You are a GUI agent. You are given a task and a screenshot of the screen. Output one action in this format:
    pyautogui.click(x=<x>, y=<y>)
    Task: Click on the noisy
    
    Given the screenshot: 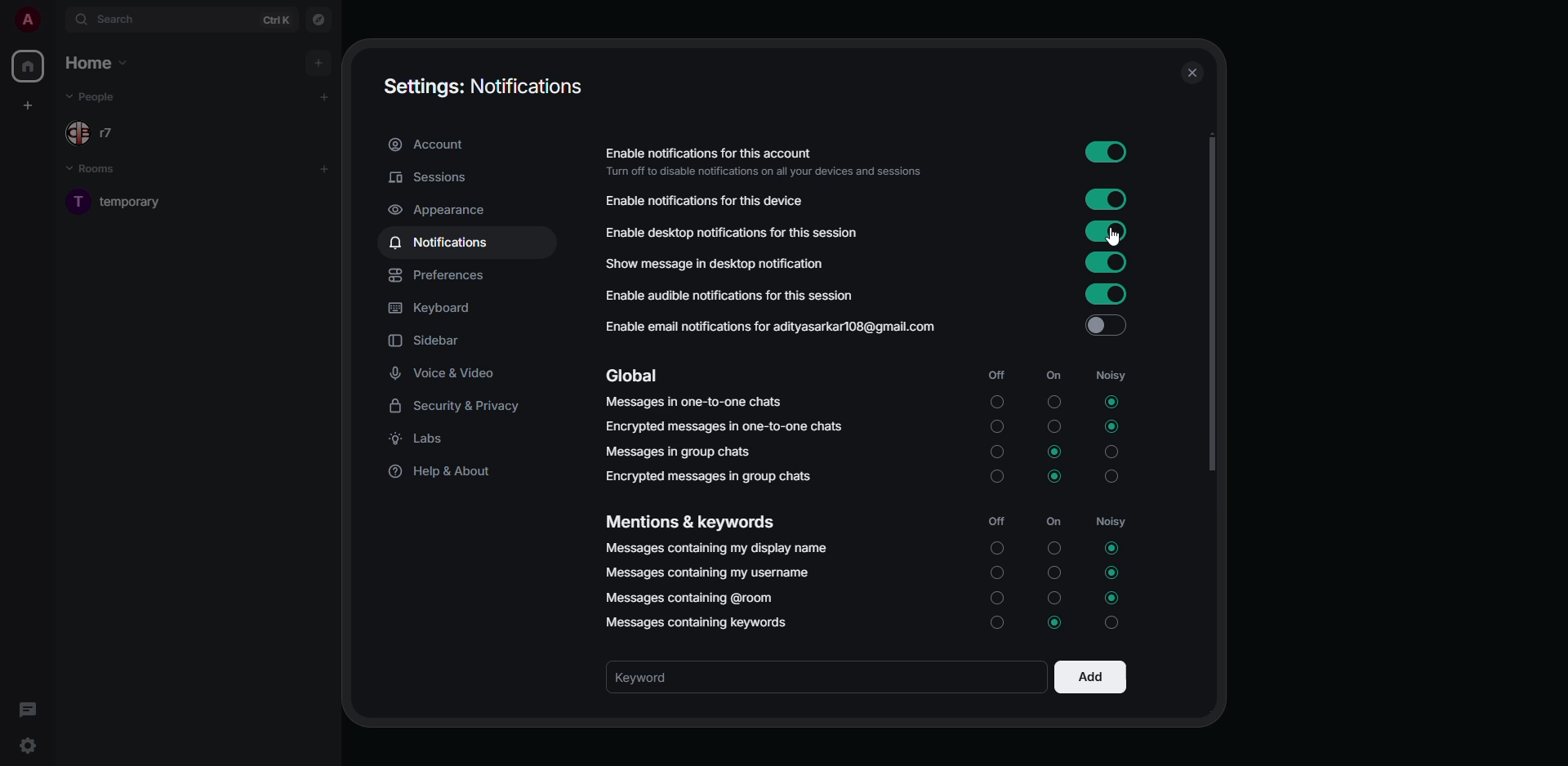 What is the action you would take?
    pyautogui.click(x=1111, y=452)
    